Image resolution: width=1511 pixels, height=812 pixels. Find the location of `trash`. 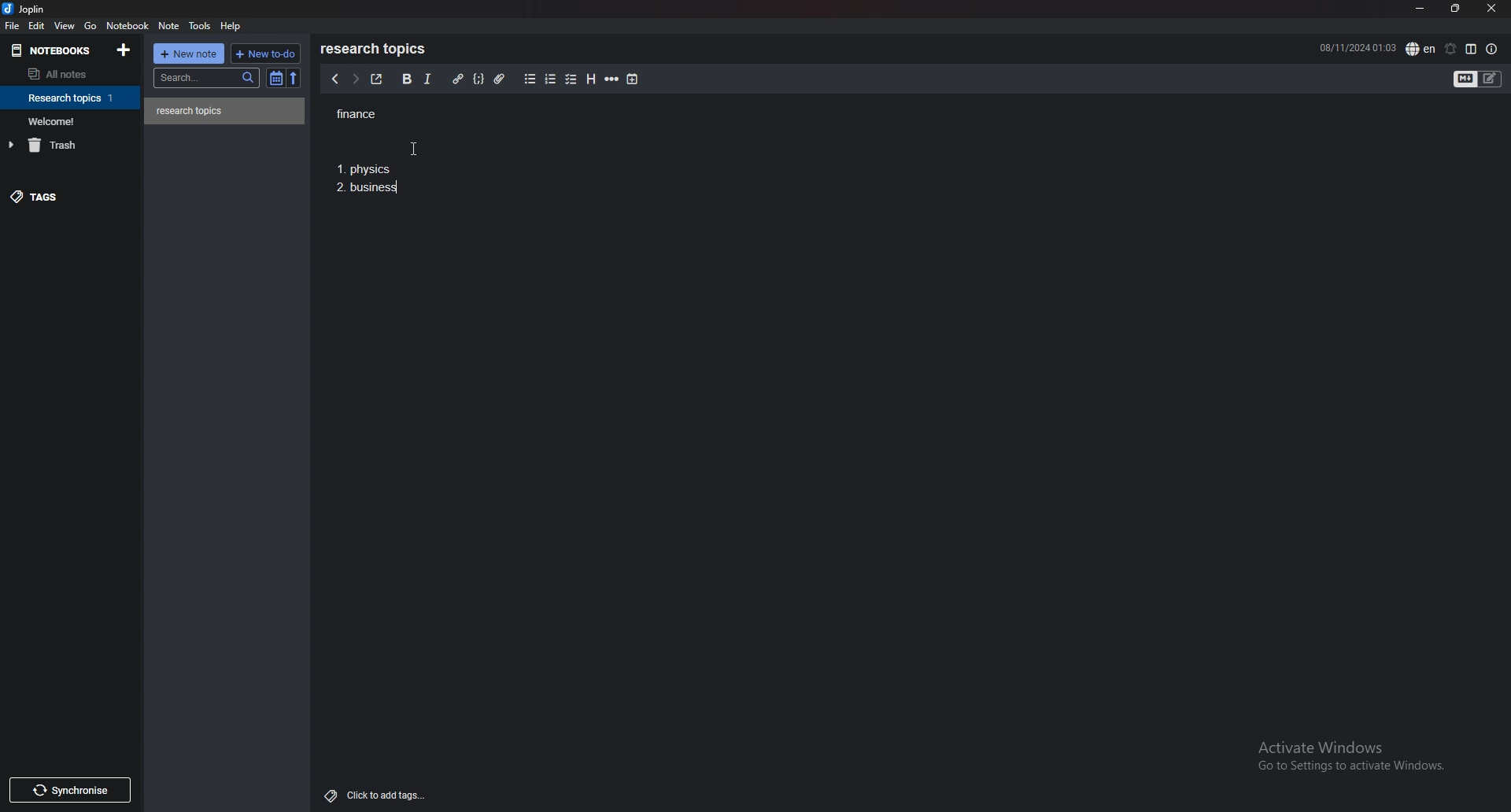

trash is located at coordinates (73, 145).